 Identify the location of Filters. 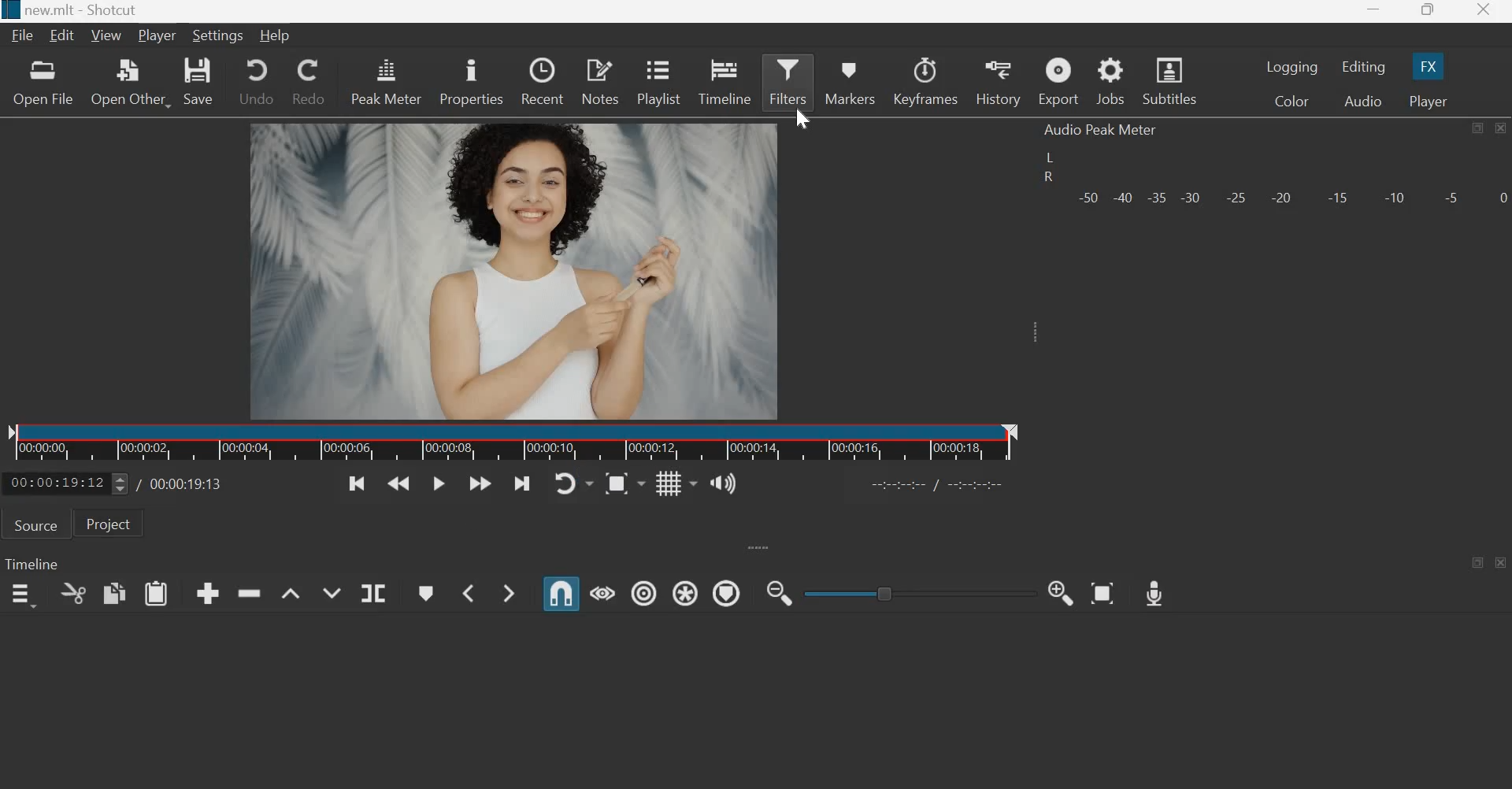
(787, 79).